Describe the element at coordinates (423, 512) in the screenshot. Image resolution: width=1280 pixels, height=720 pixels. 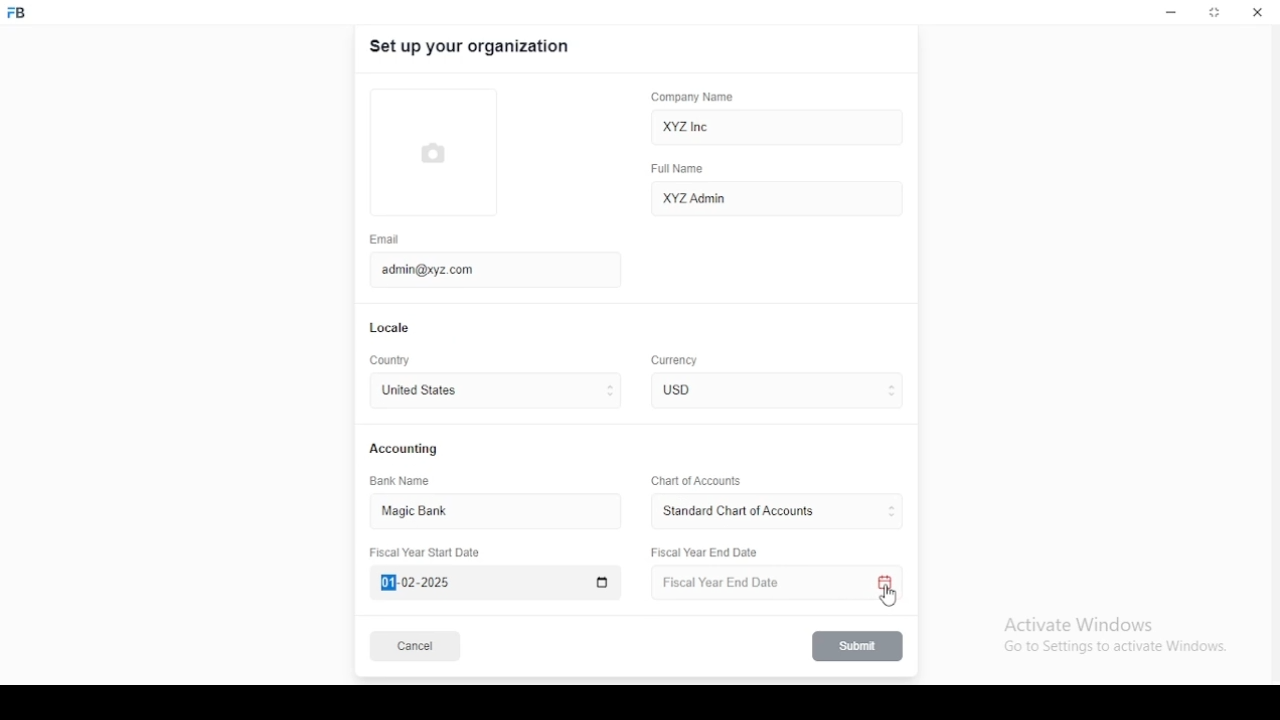
I see `magic bank` at that location.